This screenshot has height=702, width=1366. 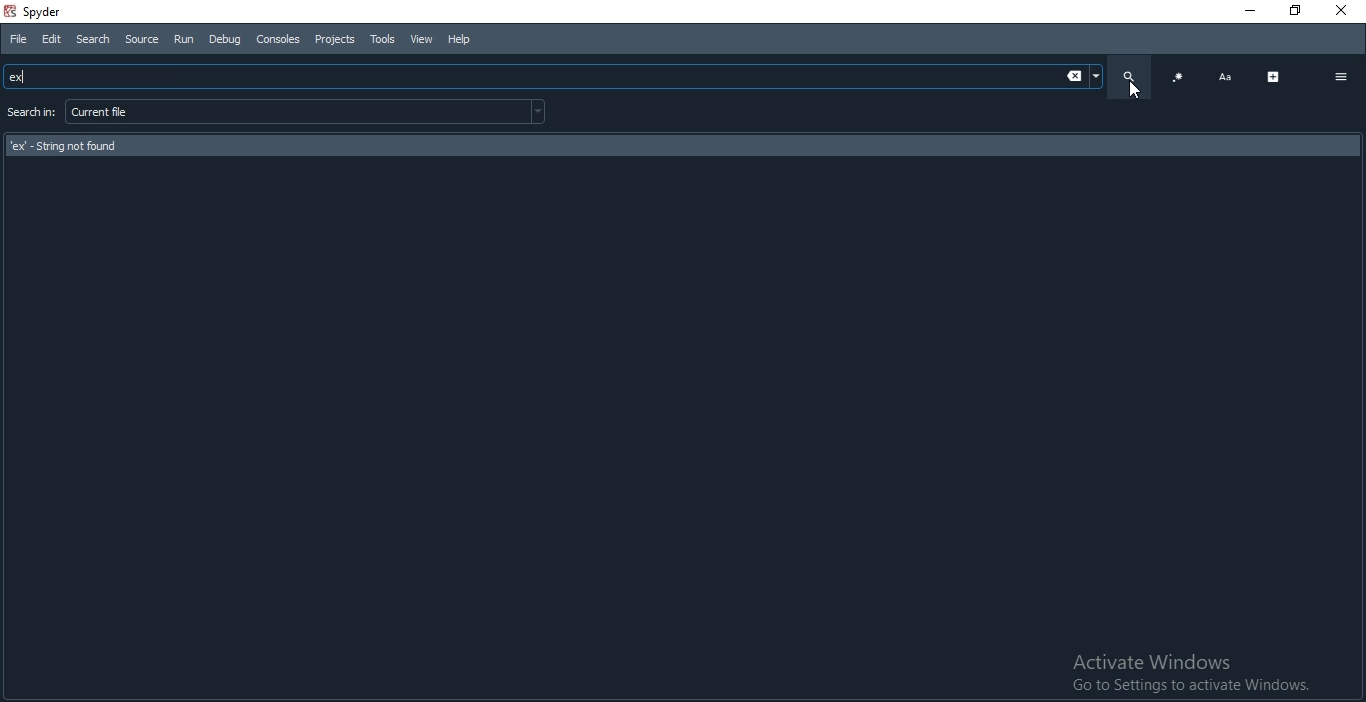 I want to click on Search, so click(x=93, y=40).